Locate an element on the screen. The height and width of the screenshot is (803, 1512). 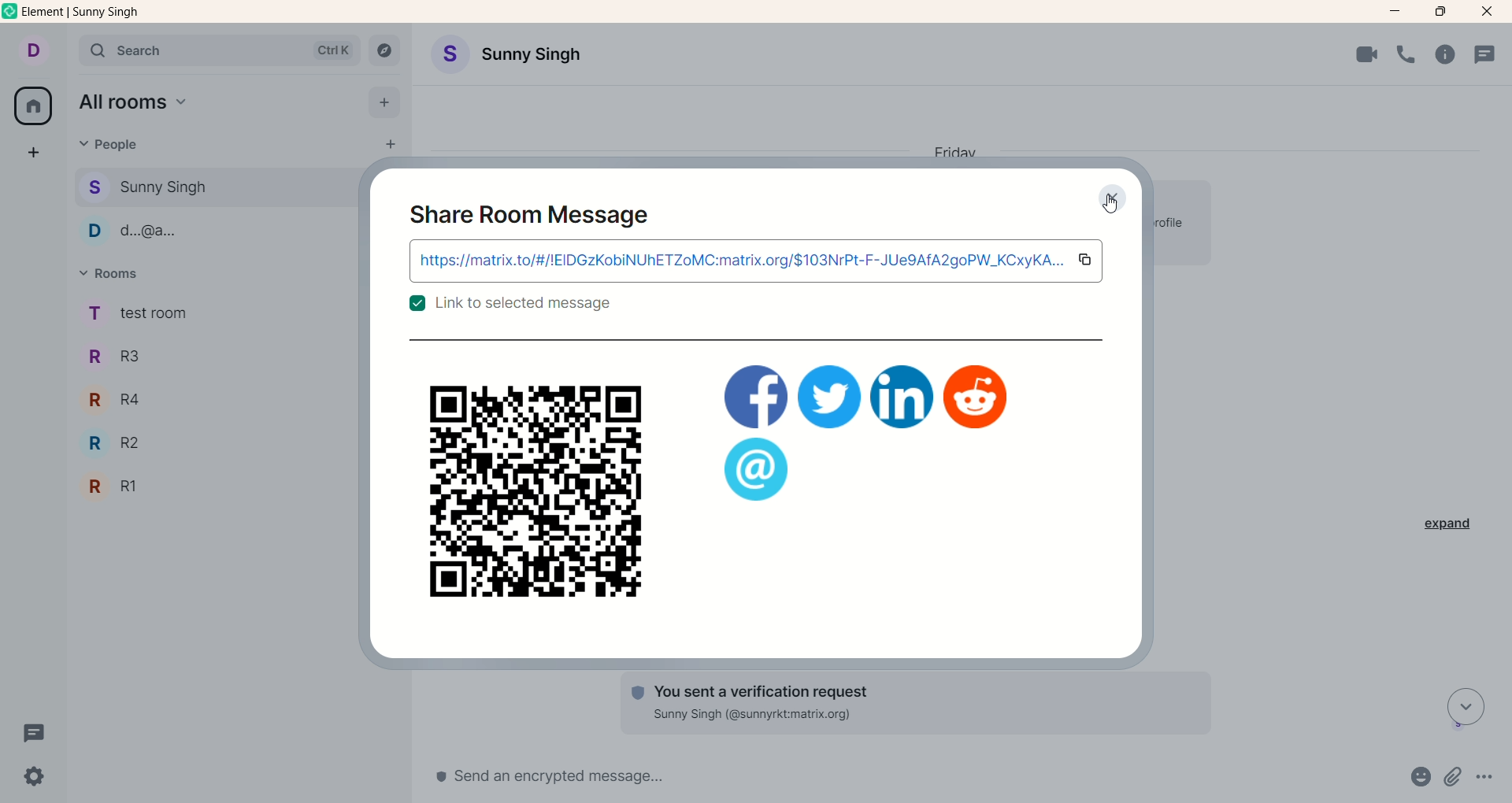
R1 is located at coordinates (129, 487).